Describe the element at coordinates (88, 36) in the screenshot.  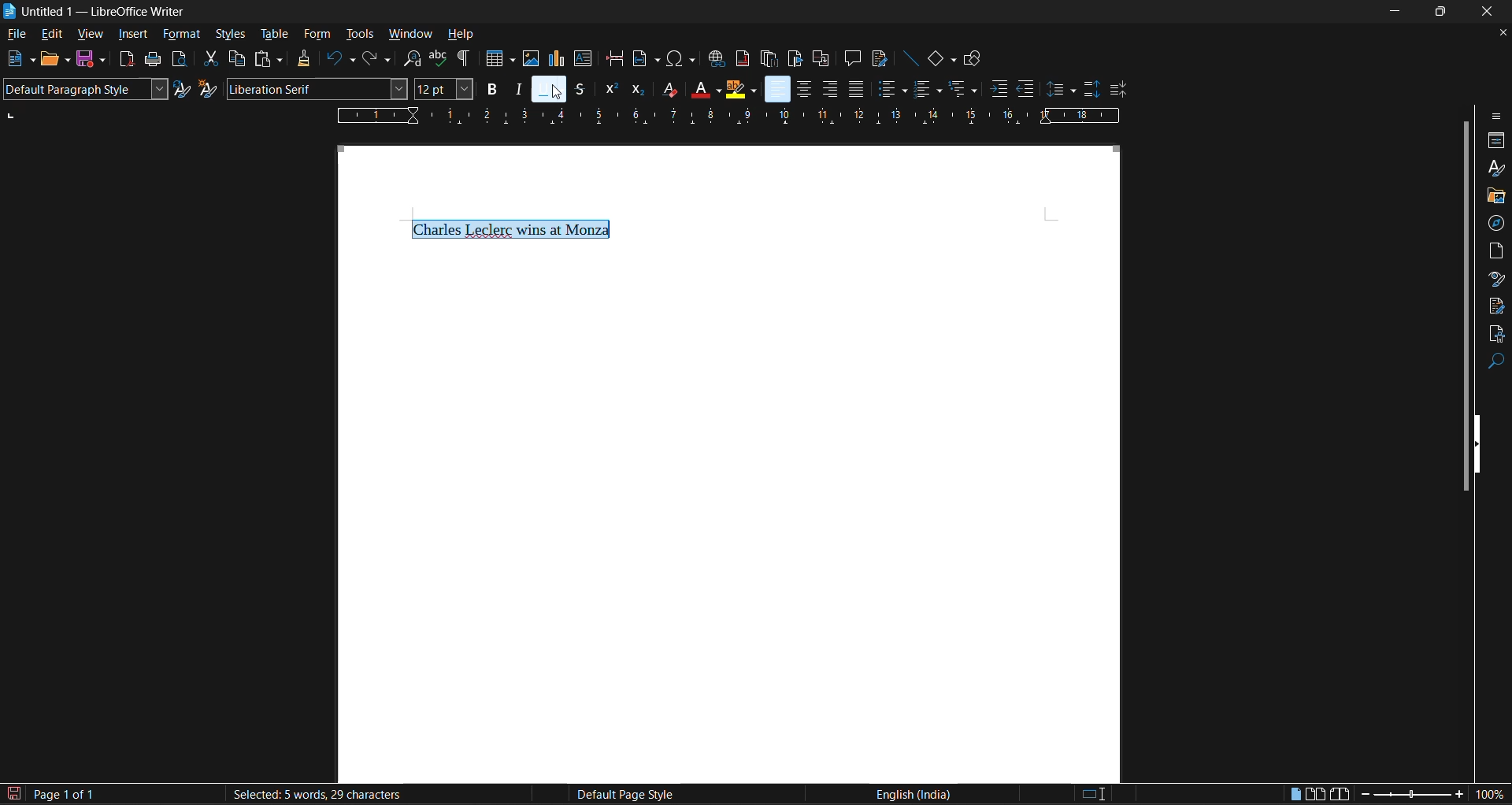
I see `view` at that location.